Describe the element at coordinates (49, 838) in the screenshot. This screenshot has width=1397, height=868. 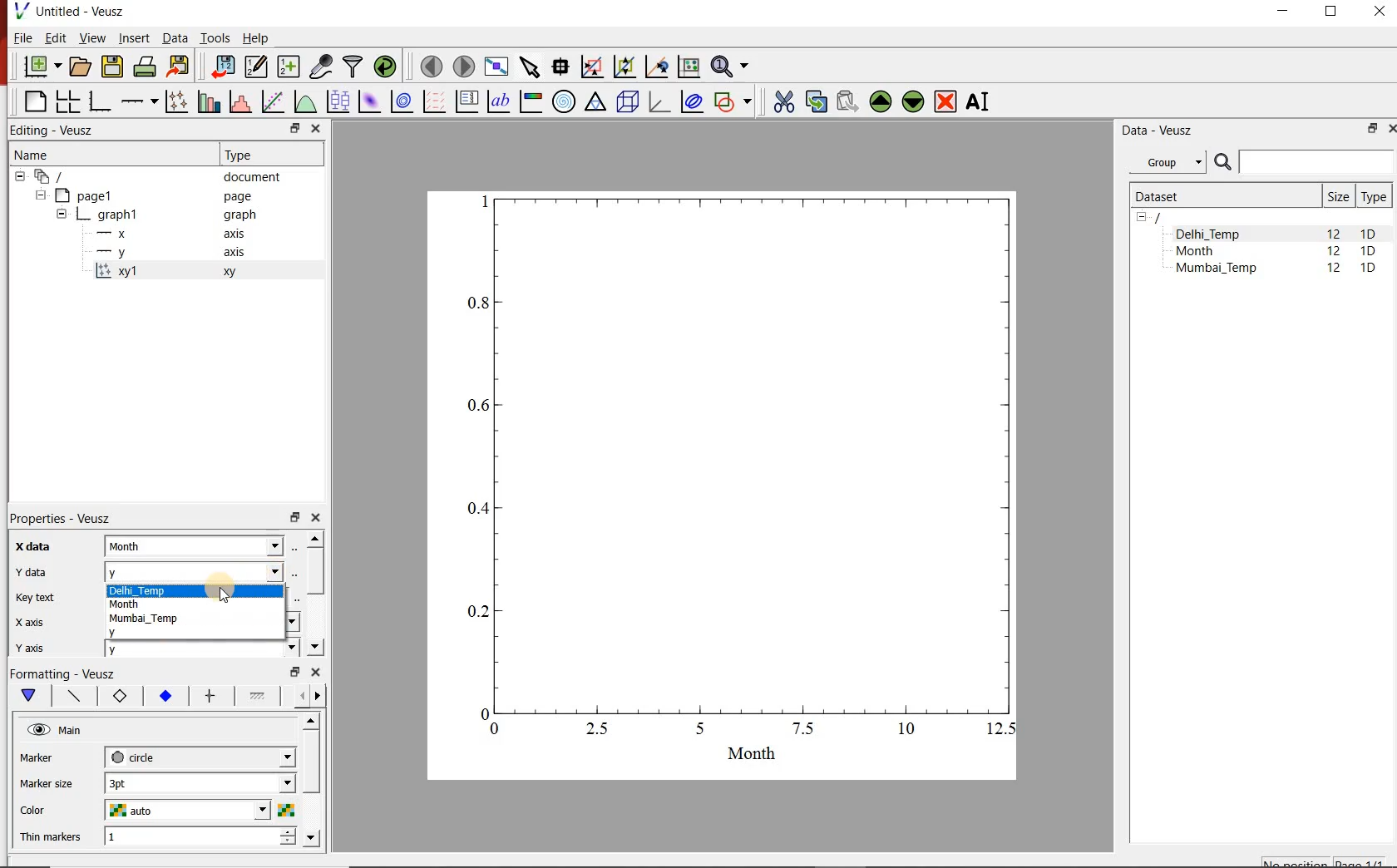
I see `Thin markers` at that location.